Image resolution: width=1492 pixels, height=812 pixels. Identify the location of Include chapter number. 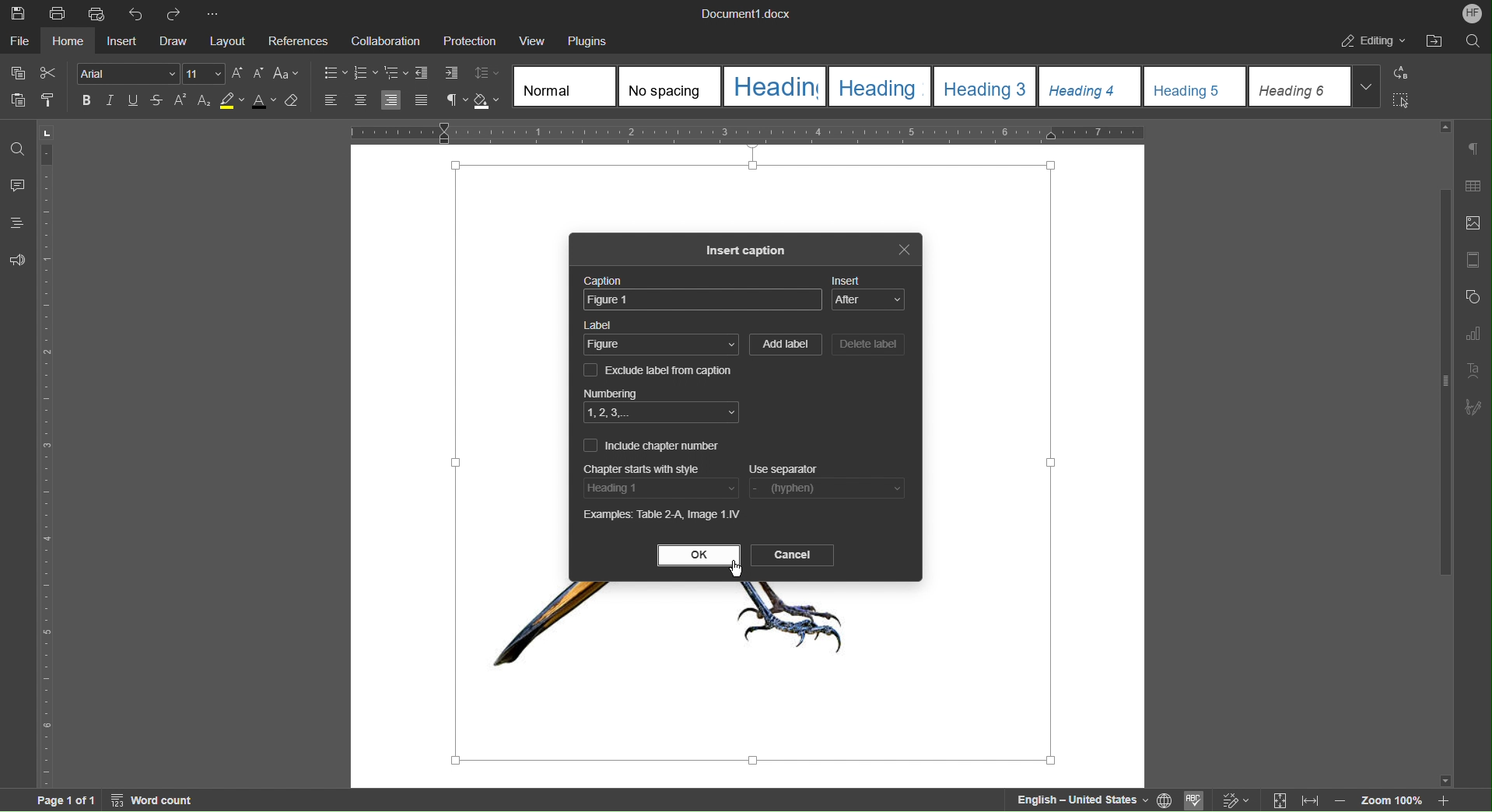
(651, 445).